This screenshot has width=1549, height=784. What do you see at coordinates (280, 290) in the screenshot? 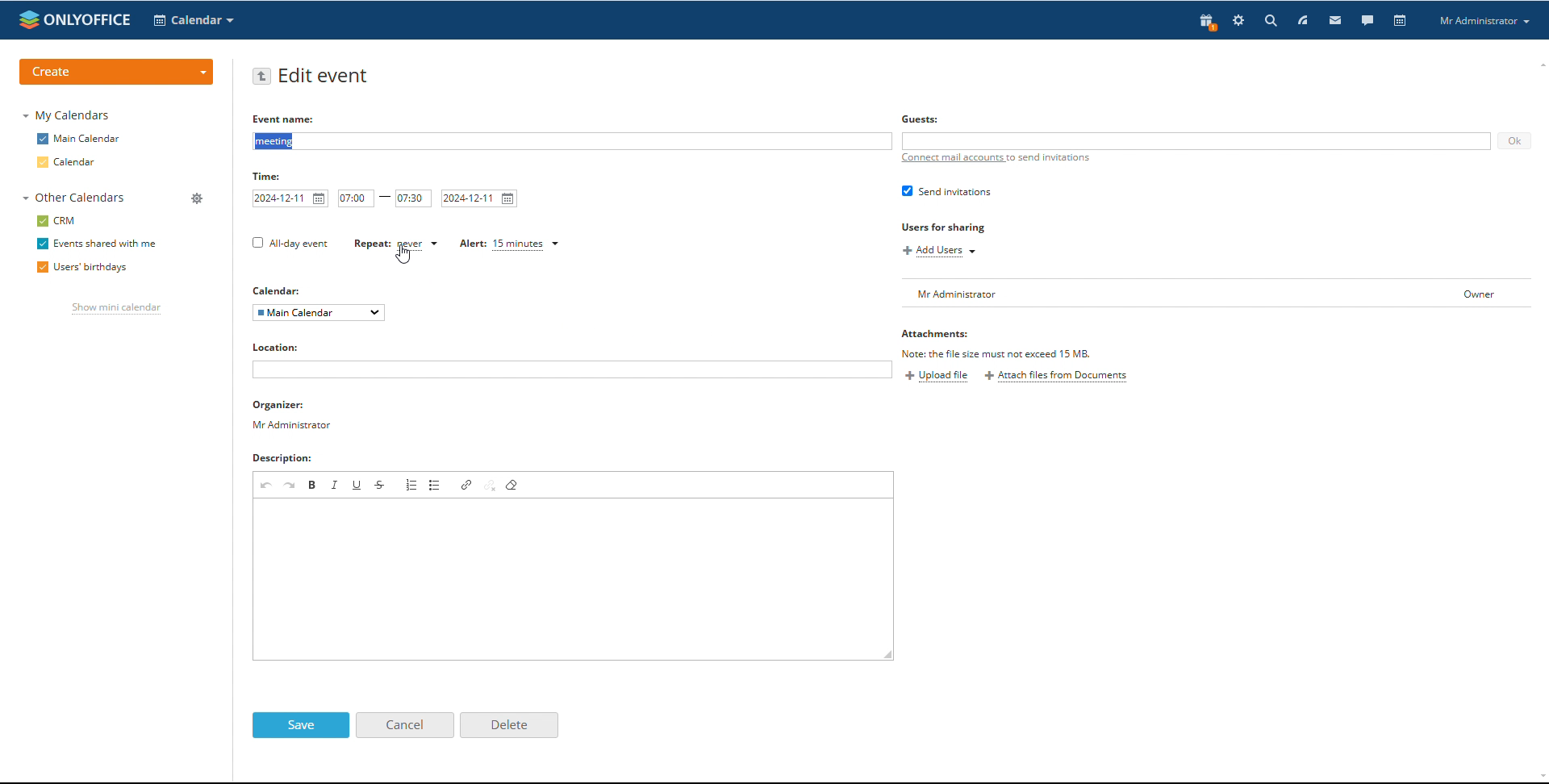
I see `Calendar:` at bounding box center [280, 290].